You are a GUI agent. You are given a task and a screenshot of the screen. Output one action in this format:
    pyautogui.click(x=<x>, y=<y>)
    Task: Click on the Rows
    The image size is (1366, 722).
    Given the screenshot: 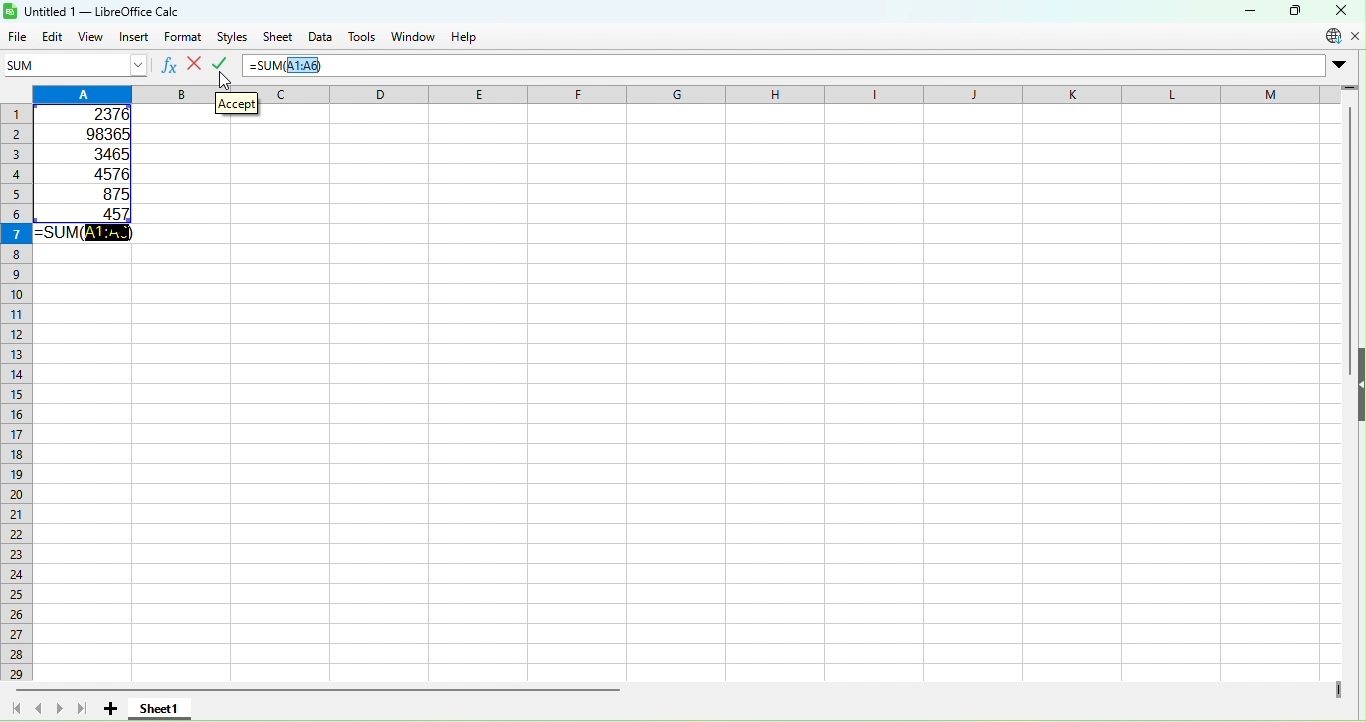 What is the action you would take?
    pyautogui.click(x=17, y=396)
    